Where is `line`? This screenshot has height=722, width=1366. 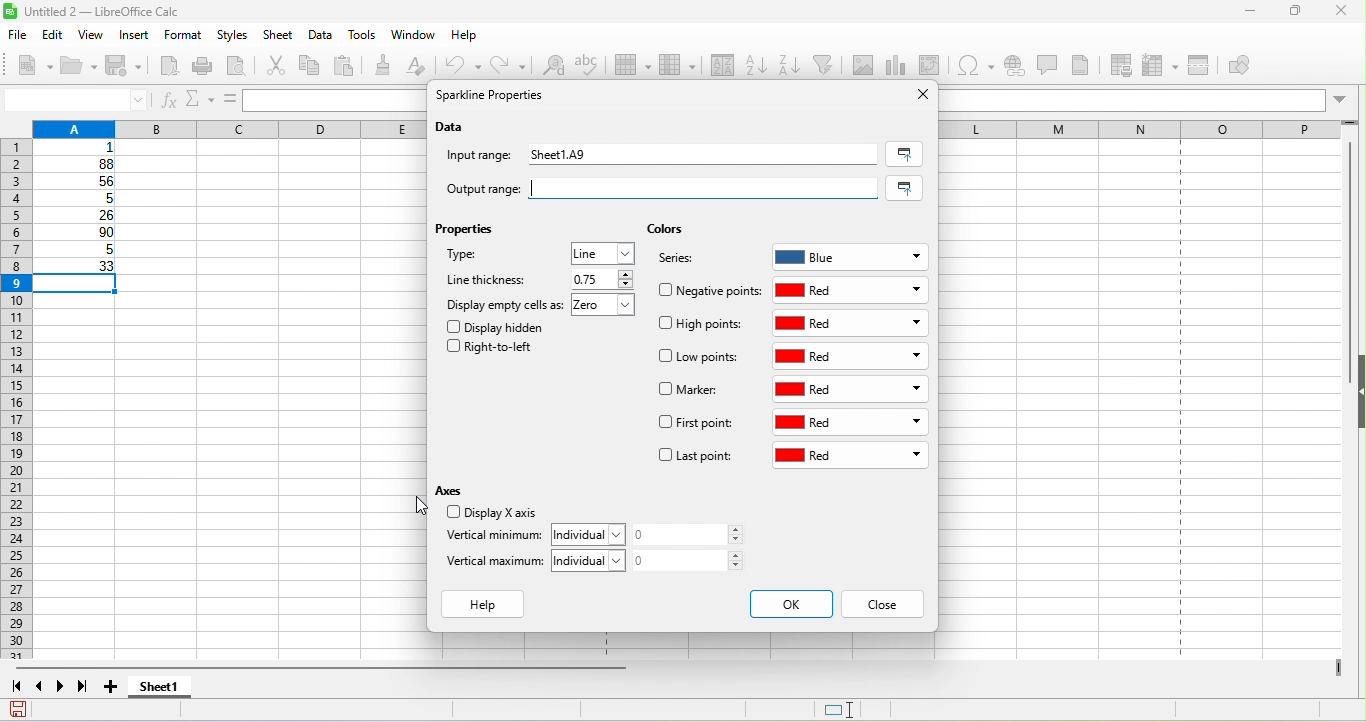
line is located at coordinates (604, 253).